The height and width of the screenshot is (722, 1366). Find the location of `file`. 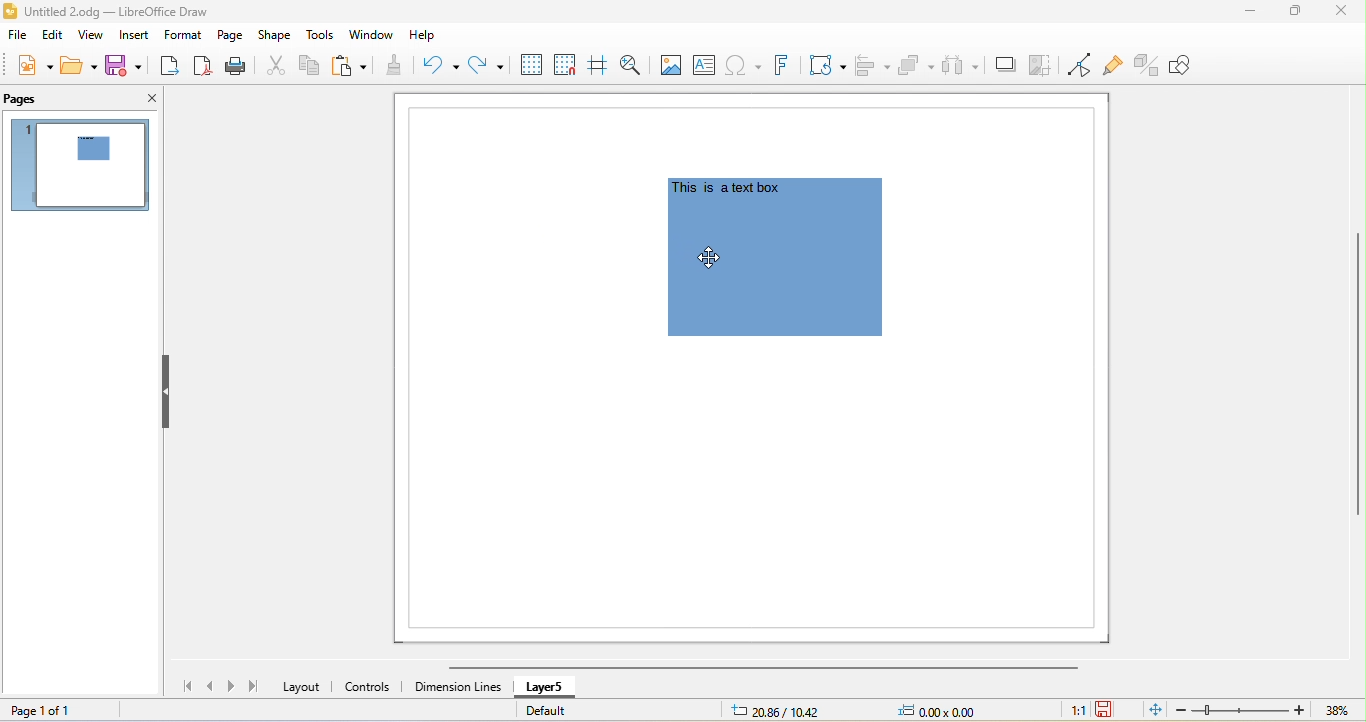

file is located at coordinates (18, 36).